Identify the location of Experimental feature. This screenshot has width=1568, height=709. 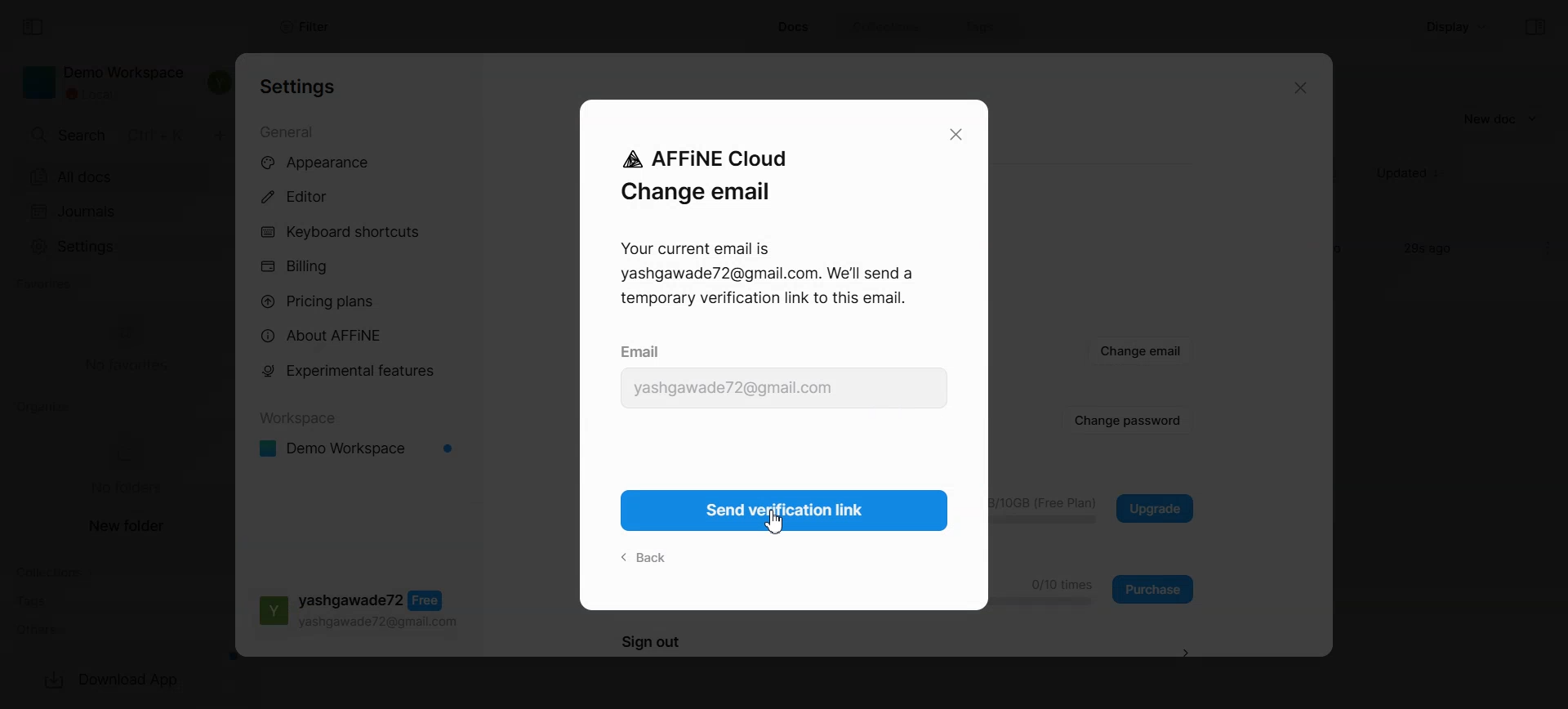
(357, 370).